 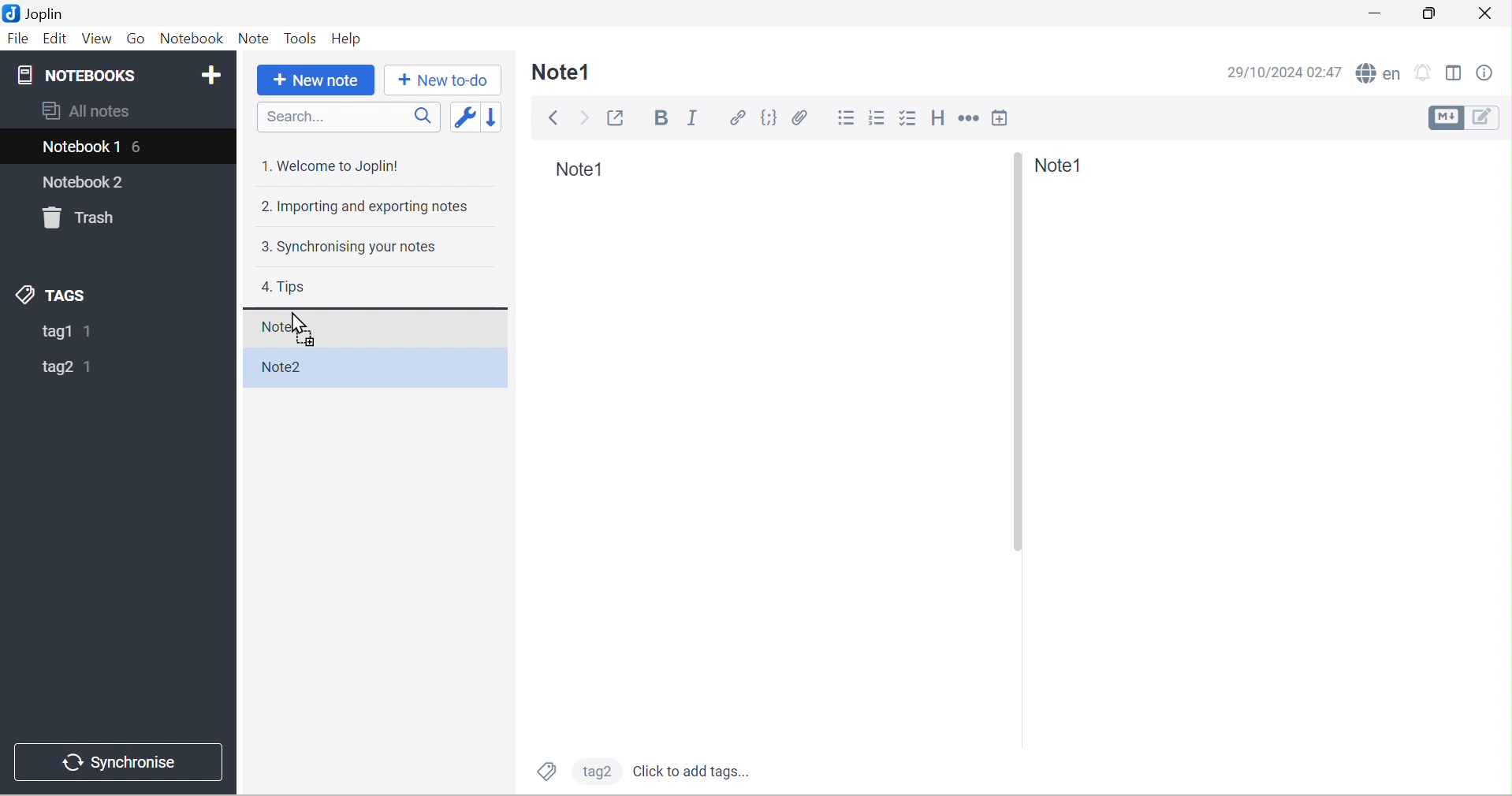 I want to click on Back, so click(x=553, y=117).